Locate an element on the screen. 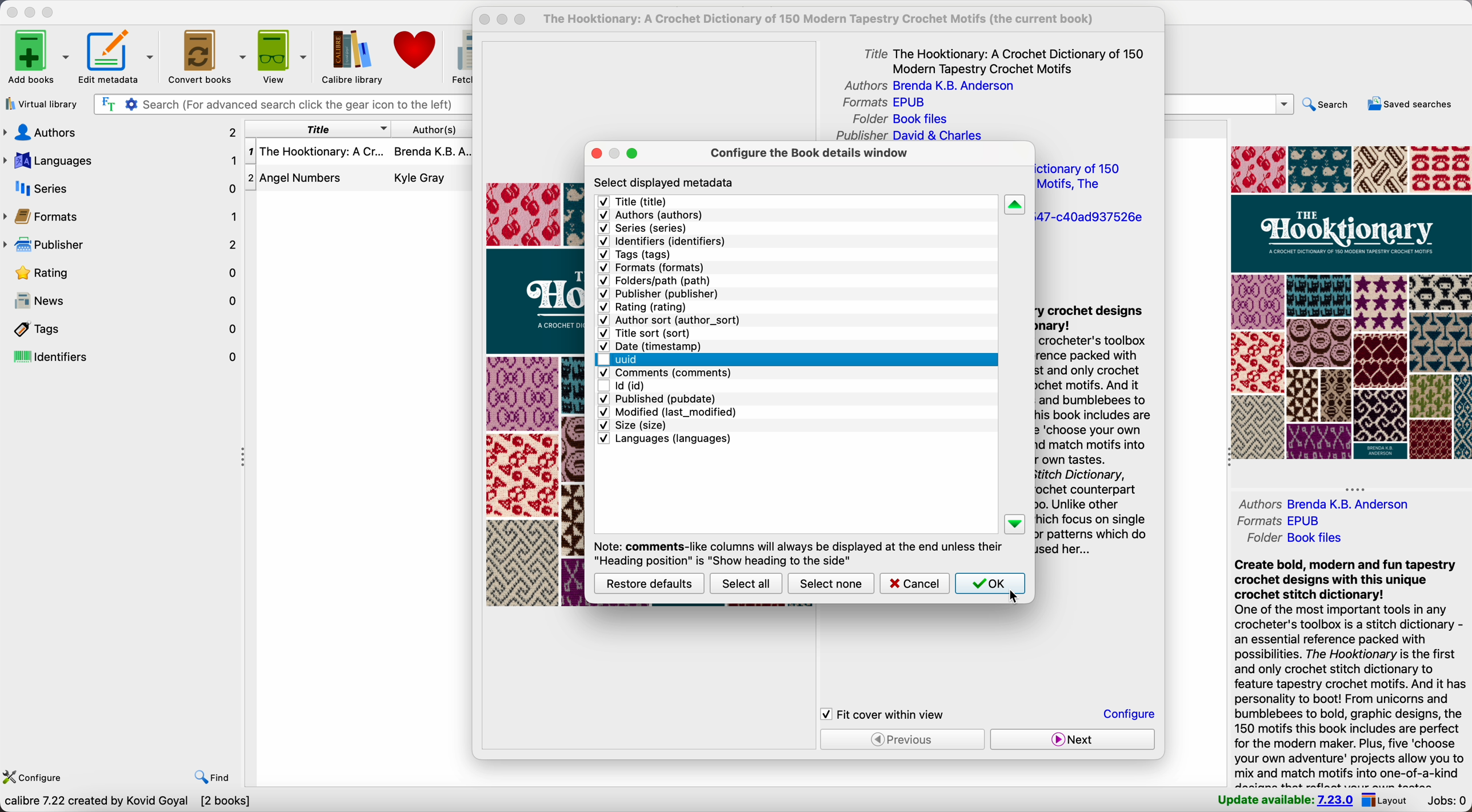 This screenshot has width=1472, height=812. previous is located at coordinates (903, 739).